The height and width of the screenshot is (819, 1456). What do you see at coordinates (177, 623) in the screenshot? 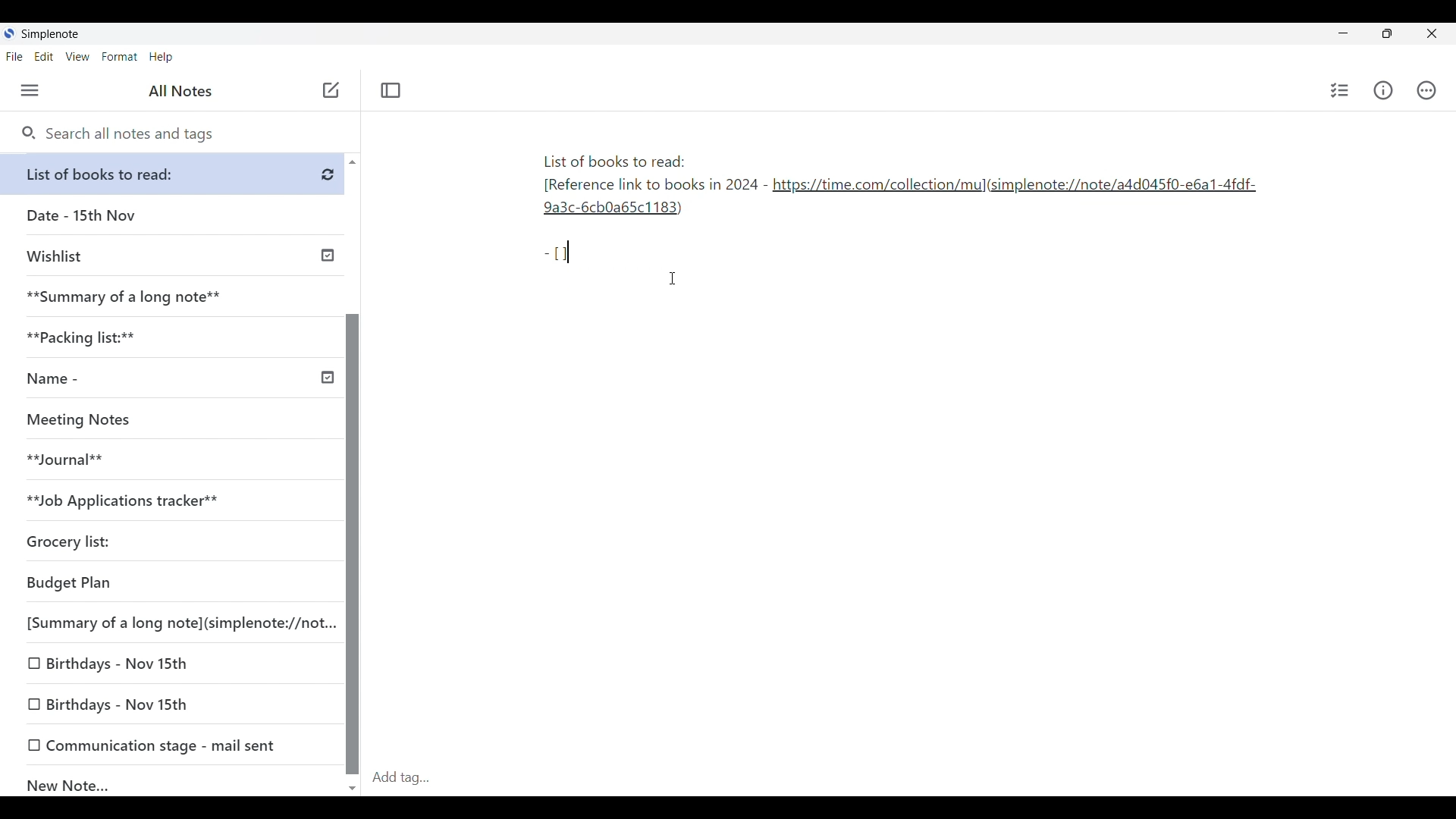
I see `[Summary of a long note](simplenote://not...` at bounding box center [177, 623].